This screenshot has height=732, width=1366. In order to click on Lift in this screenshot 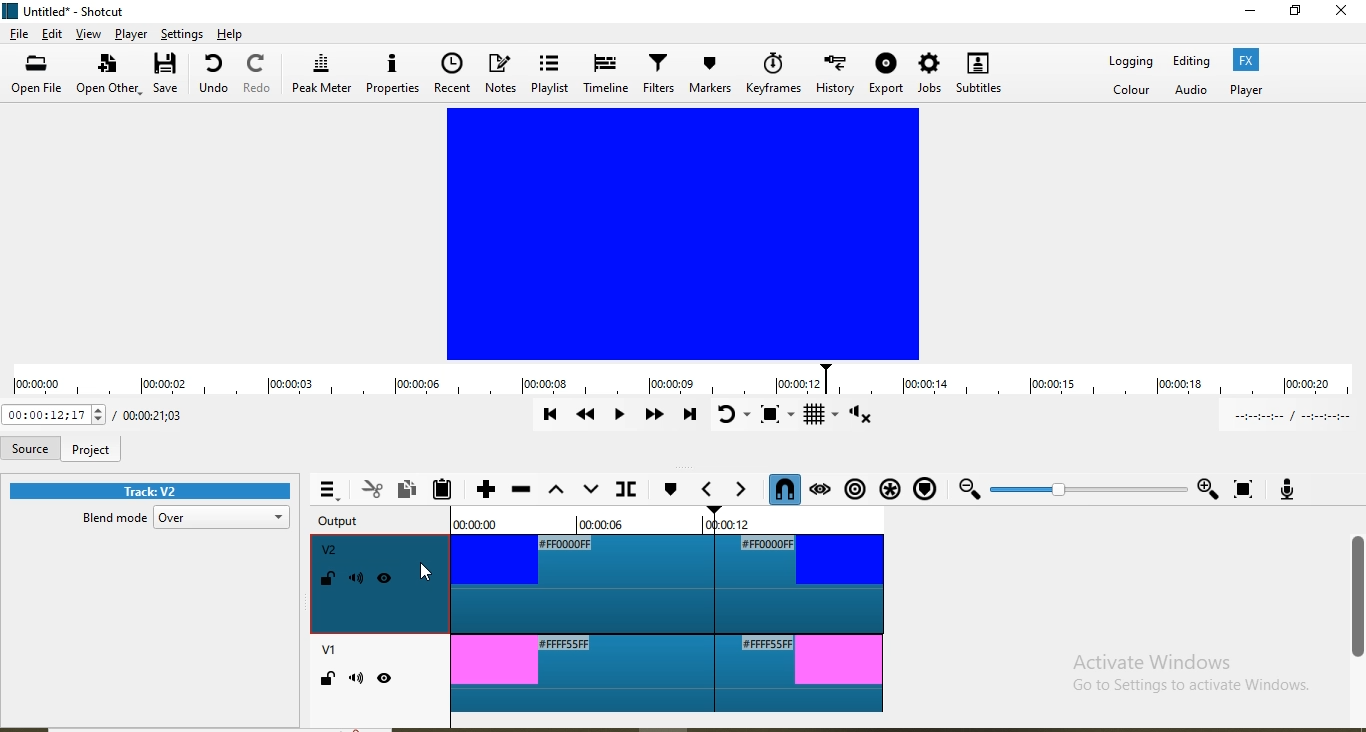, I will do `click(558, 492)`.